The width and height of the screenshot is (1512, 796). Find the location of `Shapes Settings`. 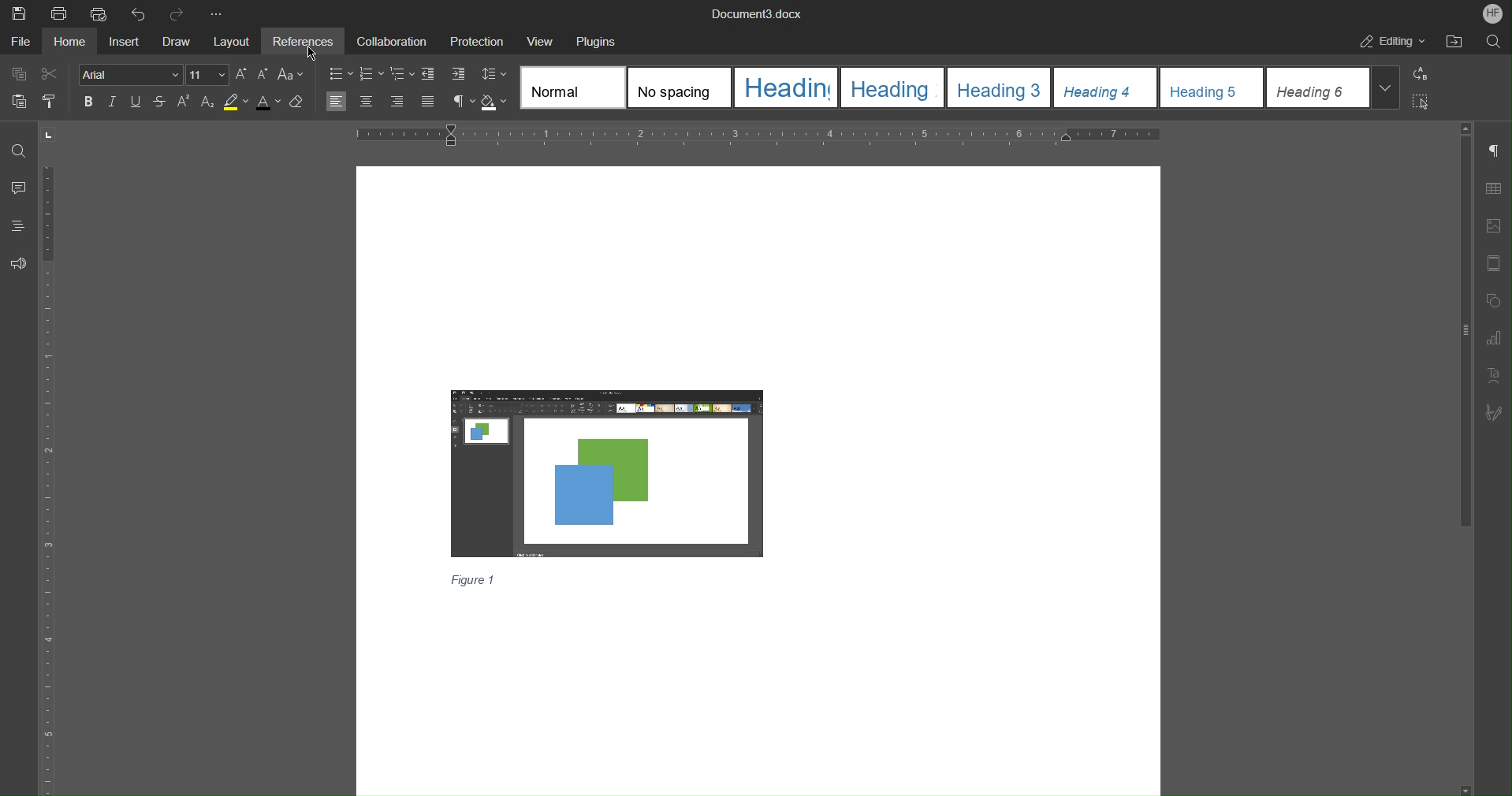

Shapes Settings is located at coordinates (1494, 303).